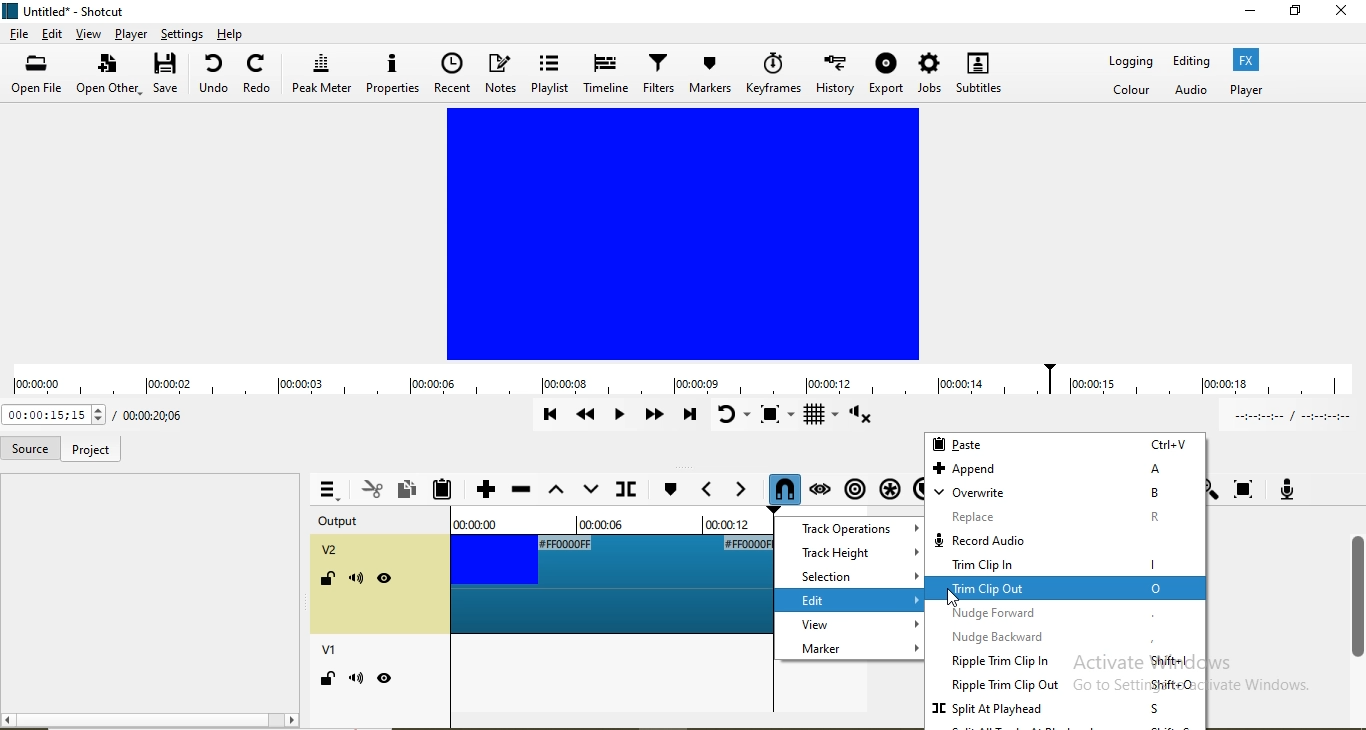 The width and height of the screenshot is (1366, 730). I want to click on Next marker, so click(736, 490).